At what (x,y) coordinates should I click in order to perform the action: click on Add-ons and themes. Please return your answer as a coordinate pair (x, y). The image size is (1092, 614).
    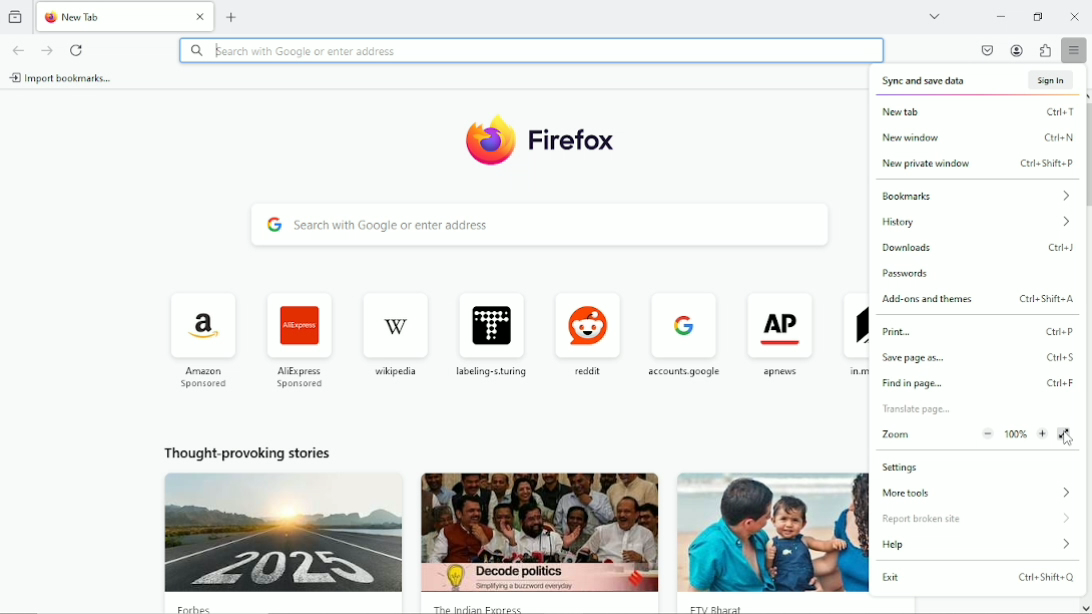
    Looking at the image, I should click on (980, 300).